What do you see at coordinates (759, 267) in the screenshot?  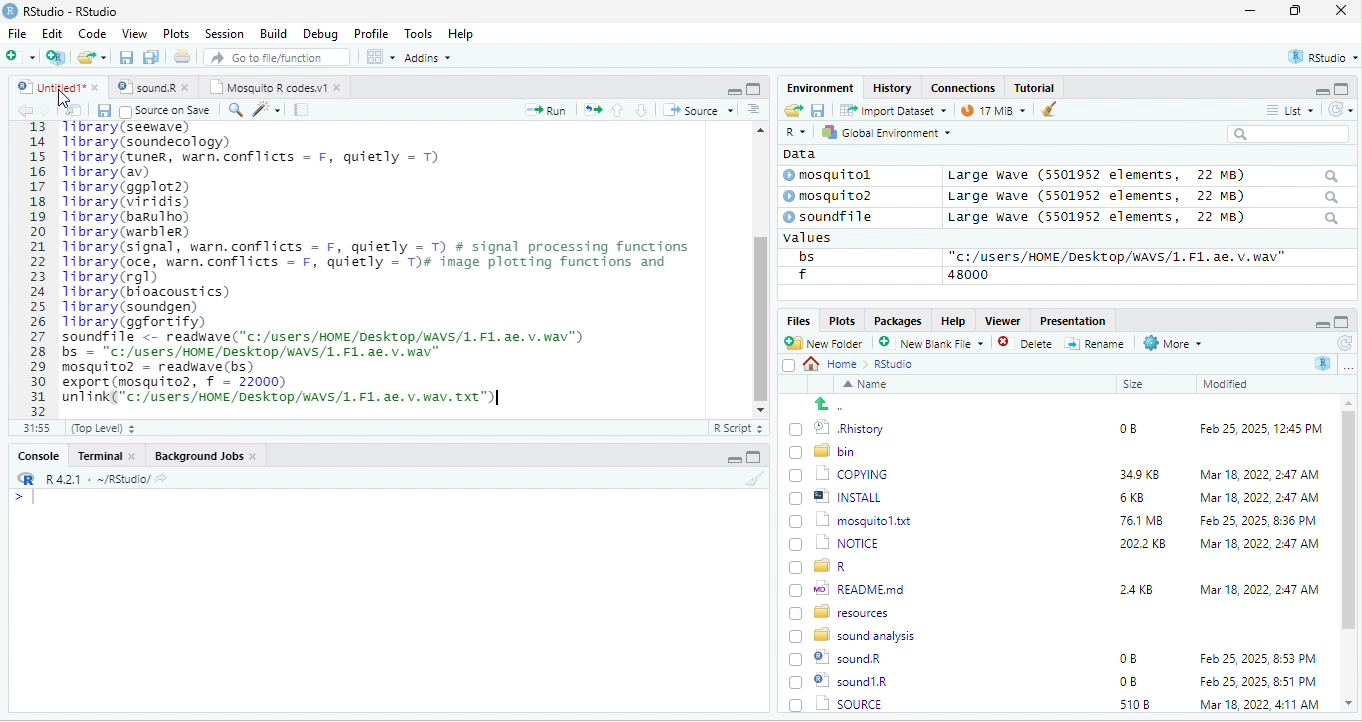 I see `scroll bar` at bounding box center [759, 267].